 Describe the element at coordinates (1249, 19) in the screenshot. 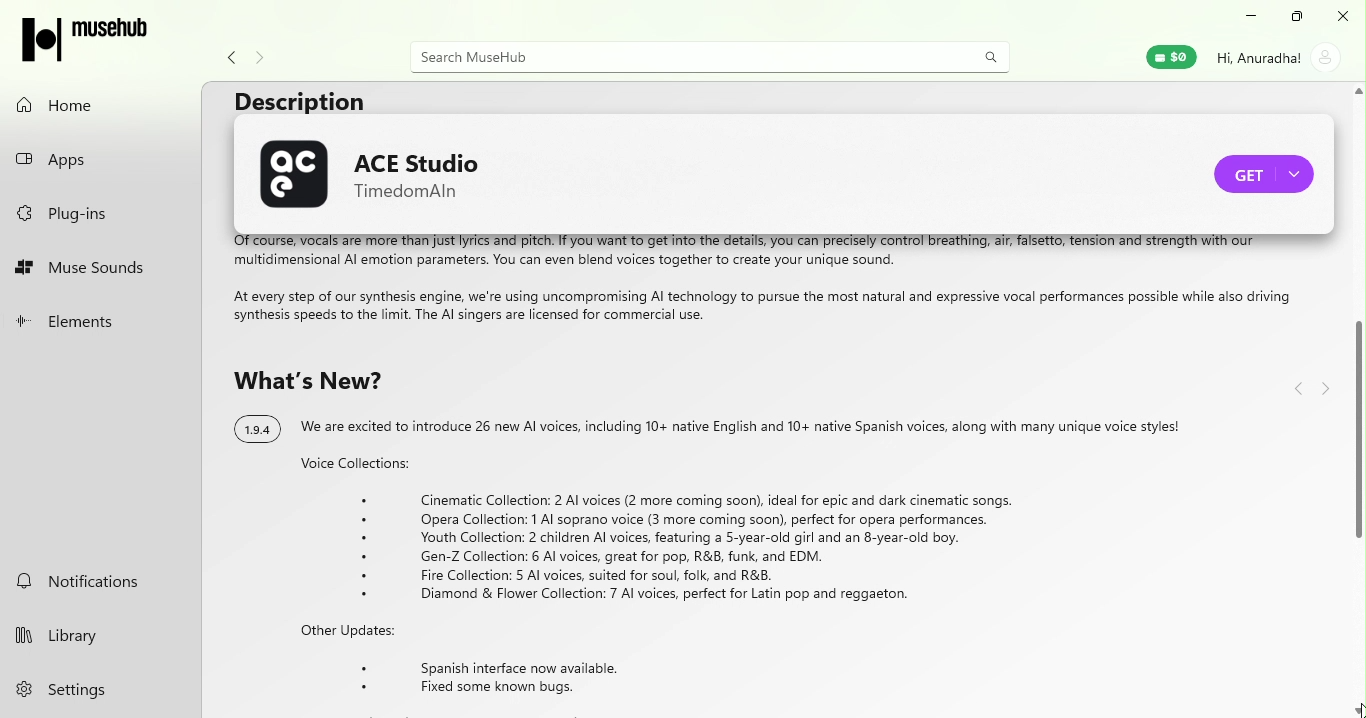

I see `minimize` at that location.